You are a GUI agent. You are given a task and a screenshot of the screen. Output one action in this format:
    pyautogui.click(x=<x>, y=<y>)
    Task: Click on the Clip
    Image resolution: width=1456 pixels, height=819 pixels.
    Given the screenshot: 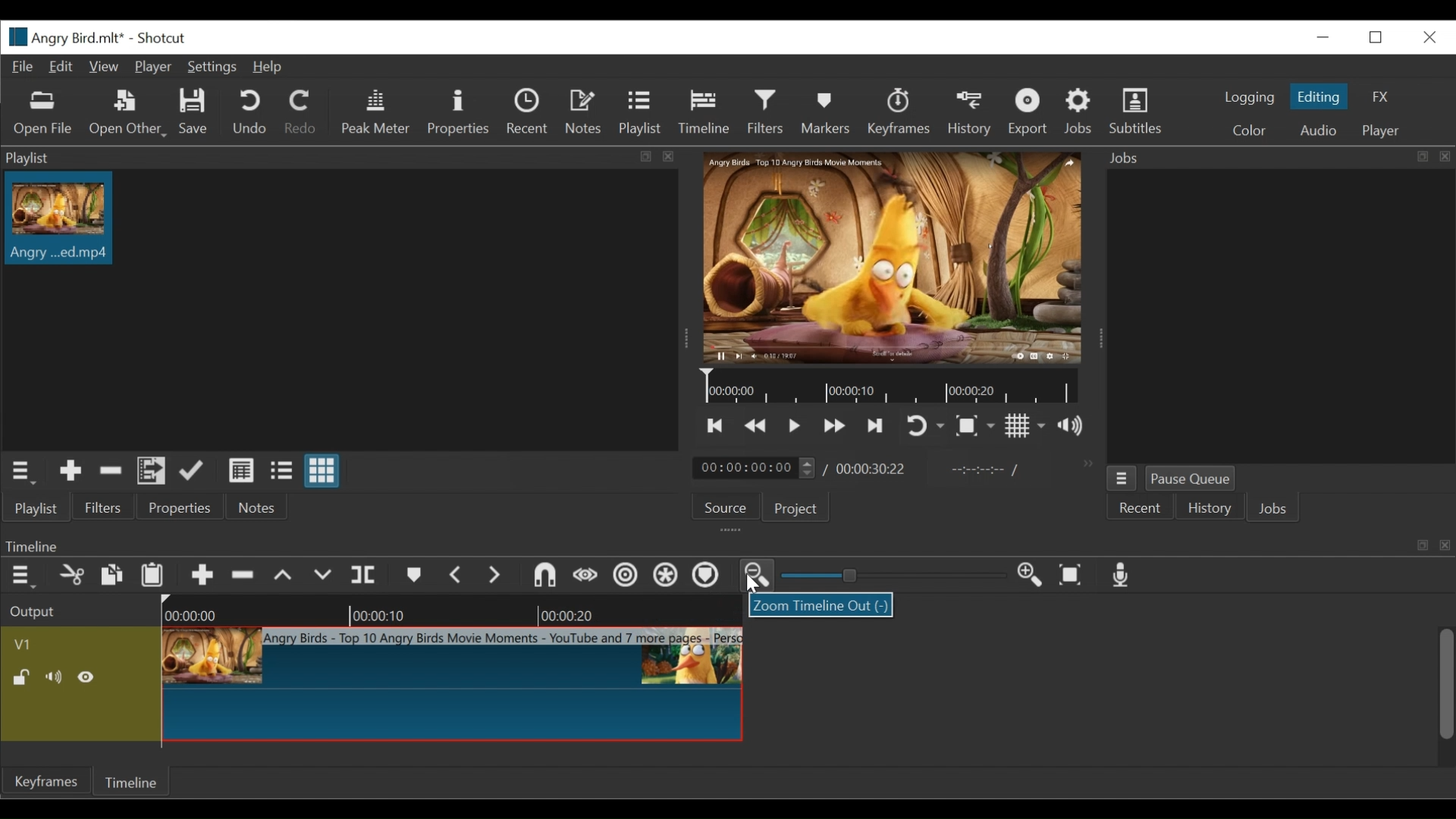 What is the action you would take?
    pyautogui.click(x=451, y=685)
    